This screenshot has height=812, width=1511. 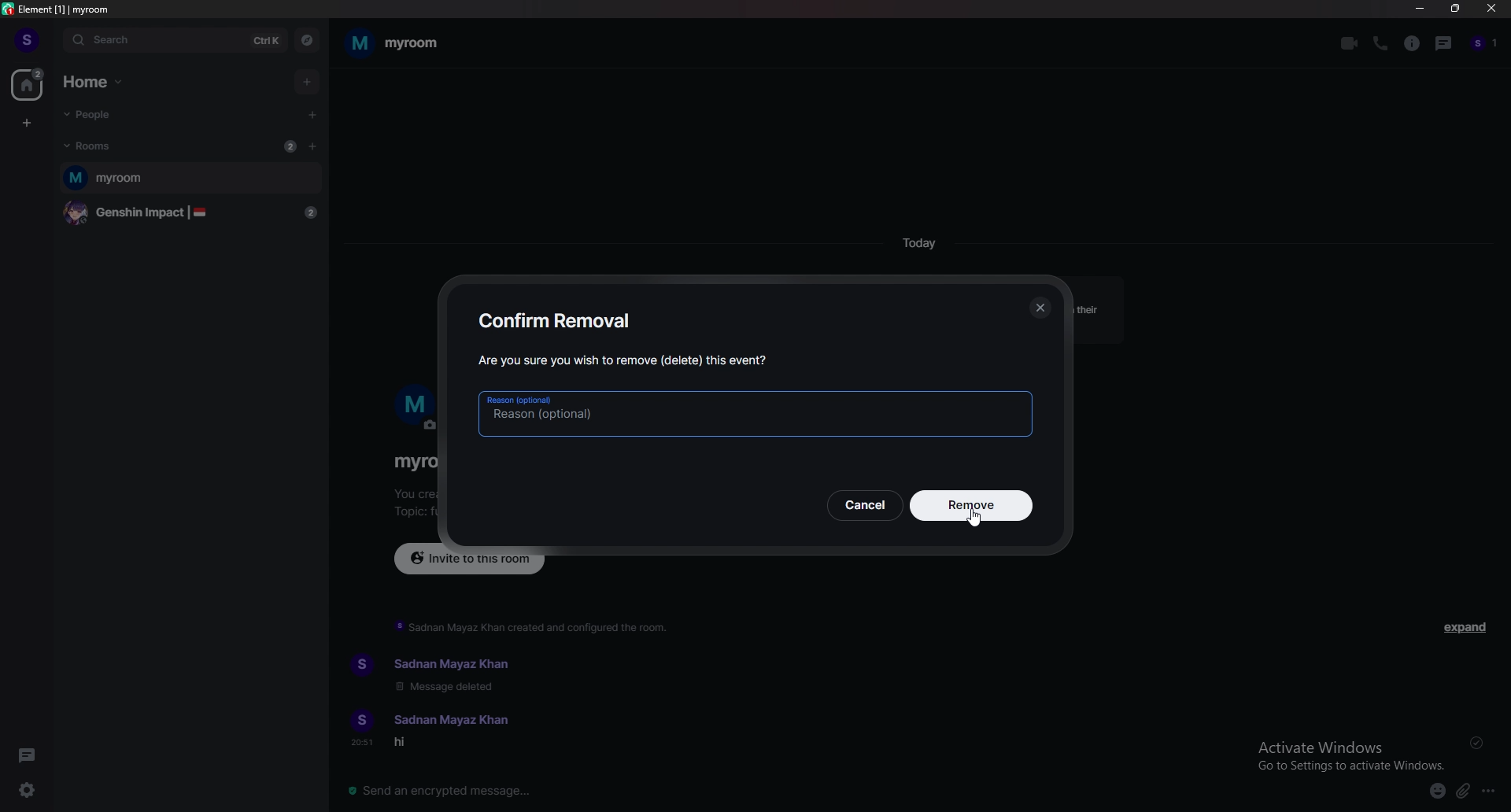 I want to click on explore rooms, so click(x=305, y=41).